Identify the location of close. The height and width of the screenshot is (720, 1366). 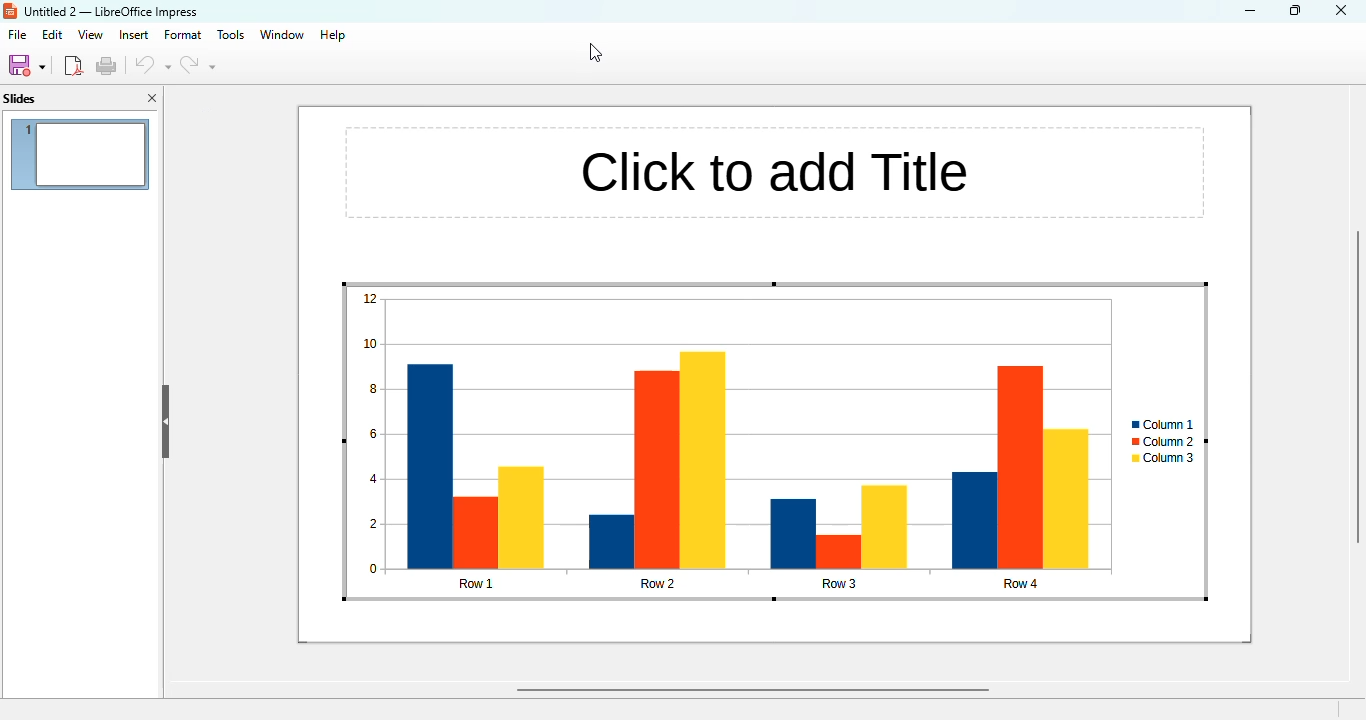
(1342, 10).